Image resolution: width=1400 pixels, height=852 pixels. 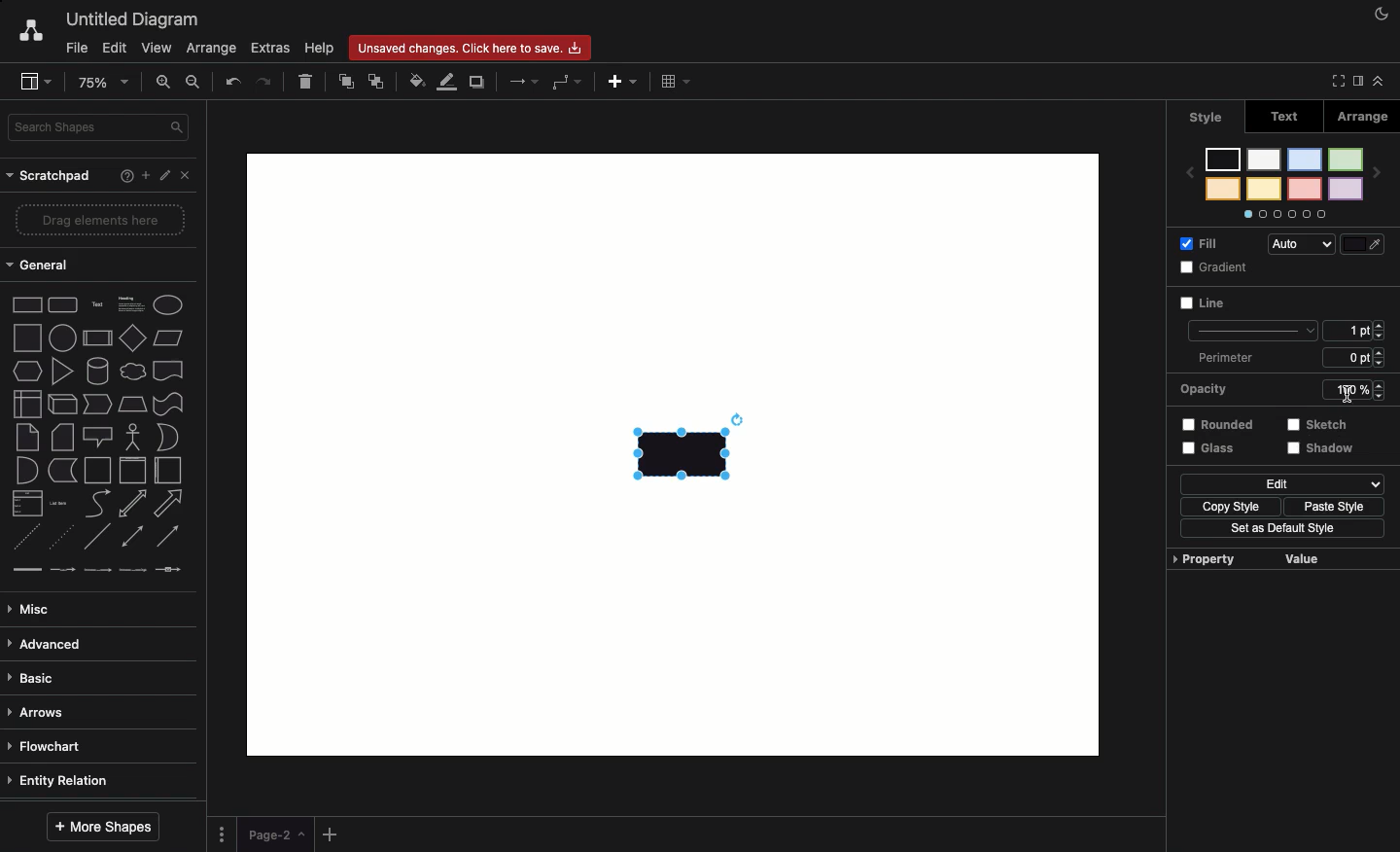 I want to click on Untitled diagram, so click(x=131, y=20).